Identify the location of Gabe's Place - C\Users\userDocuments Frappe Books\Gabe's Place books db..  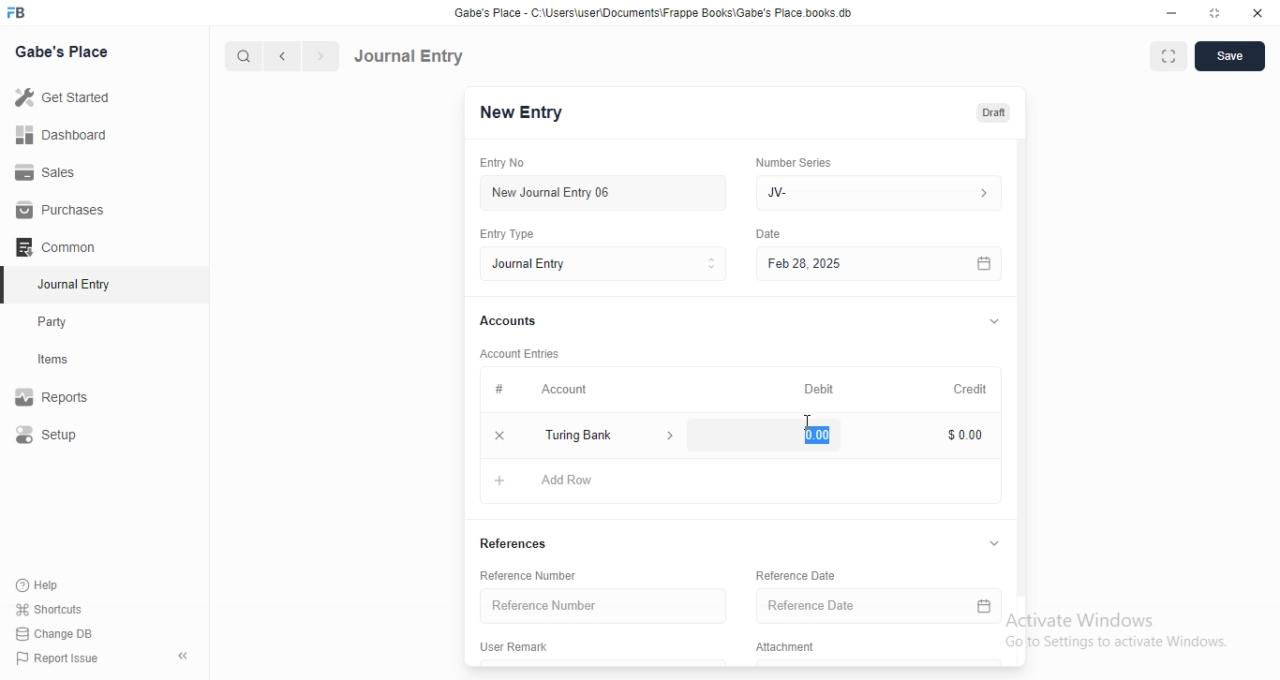
(654, 13).